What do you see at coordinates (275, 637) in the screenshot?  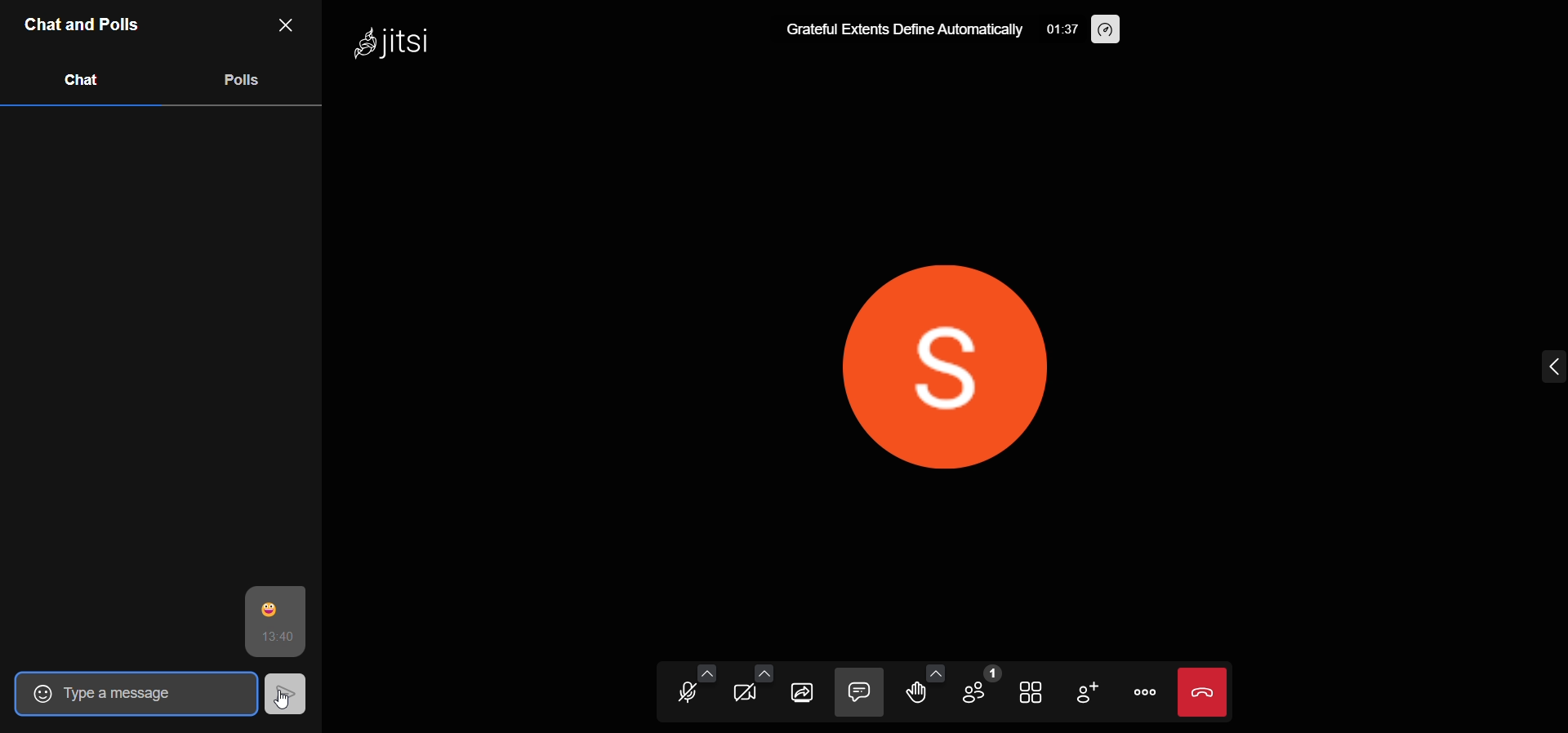 I see `sent time` at bounding box center [275, 637].